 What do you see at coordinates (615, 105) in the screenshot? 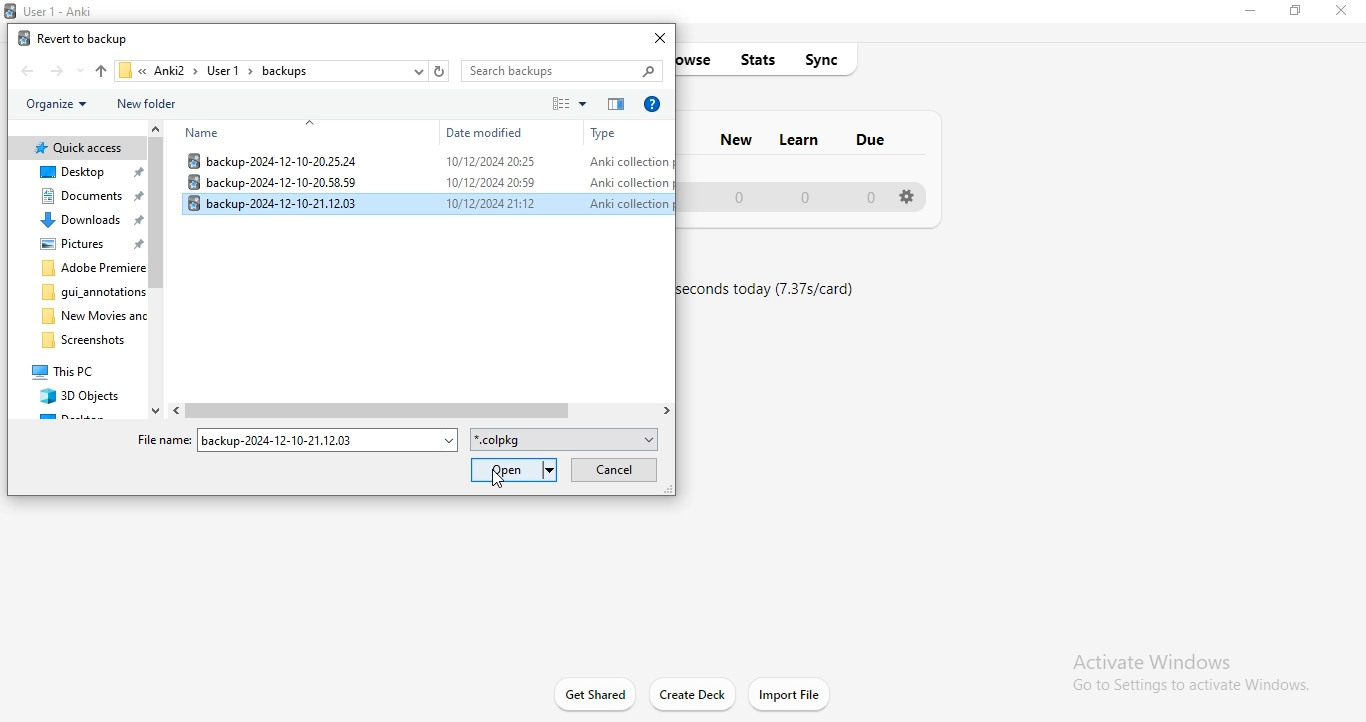
I see `order` at bounding box center [615, 105].